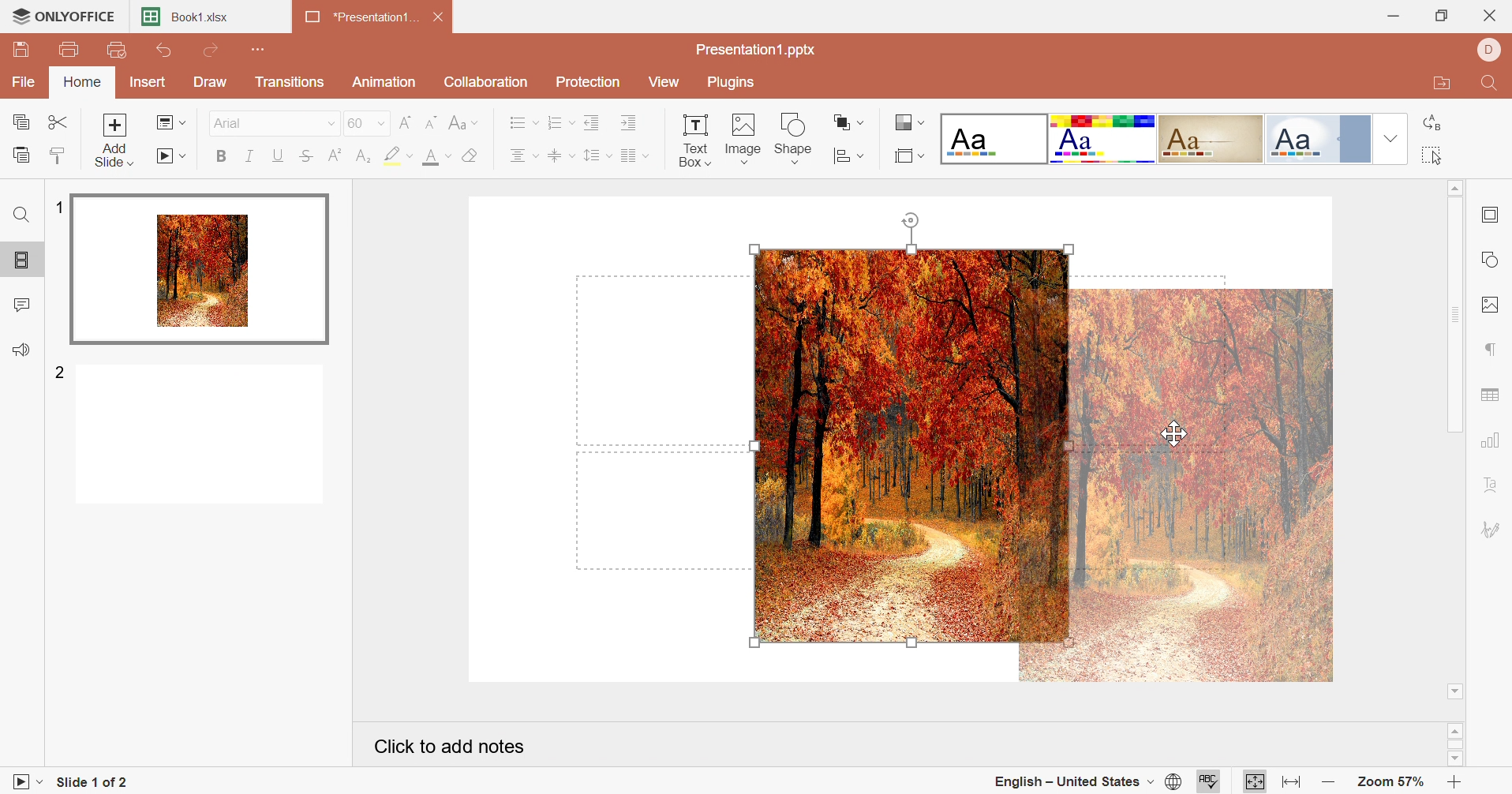  I want to click on ONLYOFFICE, so click(65, 15).